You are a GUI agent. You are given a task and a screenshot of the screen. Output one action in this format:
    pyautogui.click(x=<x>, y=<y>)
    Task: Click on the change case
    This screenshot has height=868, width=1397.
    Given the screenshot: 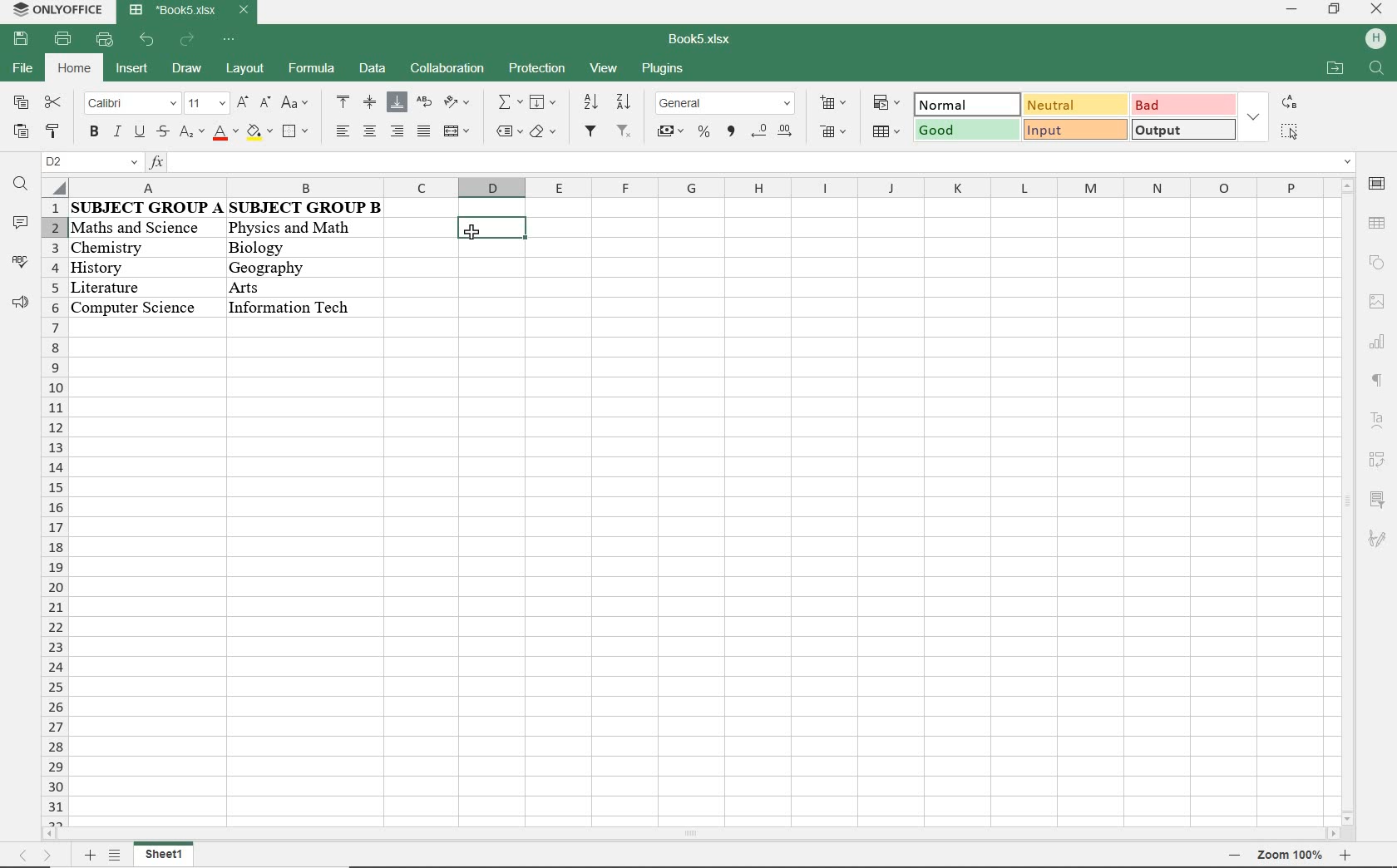 What is the action you would take?
    pyautogui.click(x=297, y=103)
    